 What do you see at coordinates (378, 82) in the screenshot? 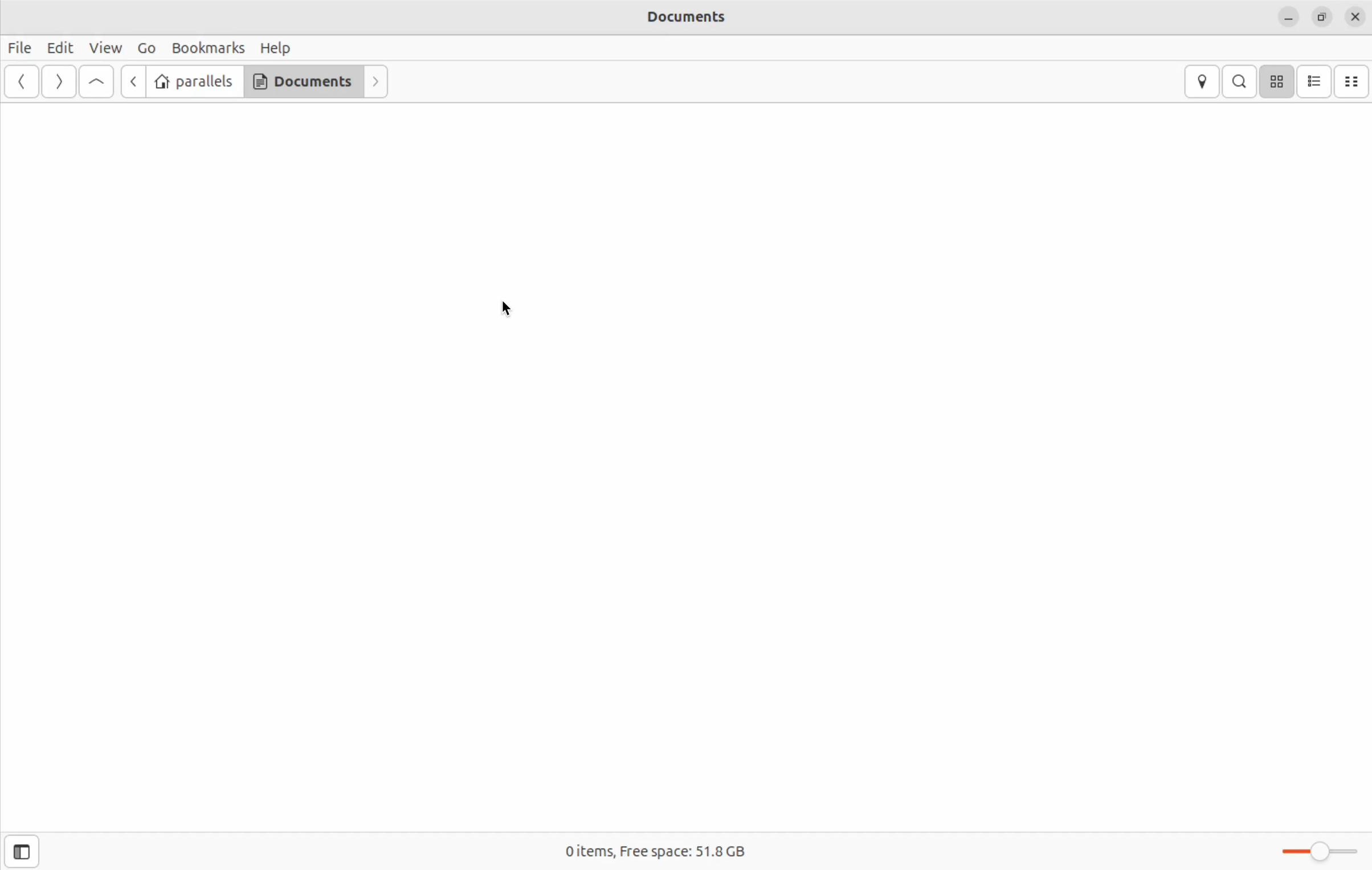
I see `next ` at bounding box center [378, 82].